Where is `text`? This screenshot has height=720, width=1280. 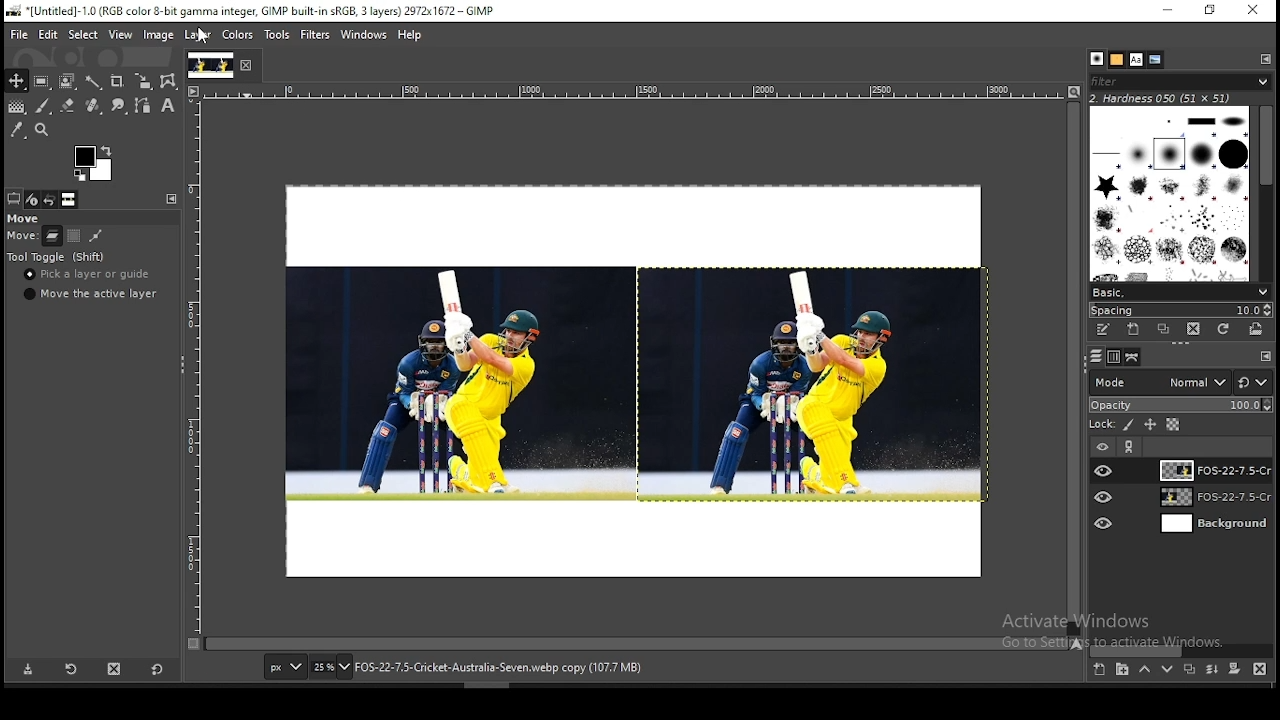
text is located at coordinates (498, 668).